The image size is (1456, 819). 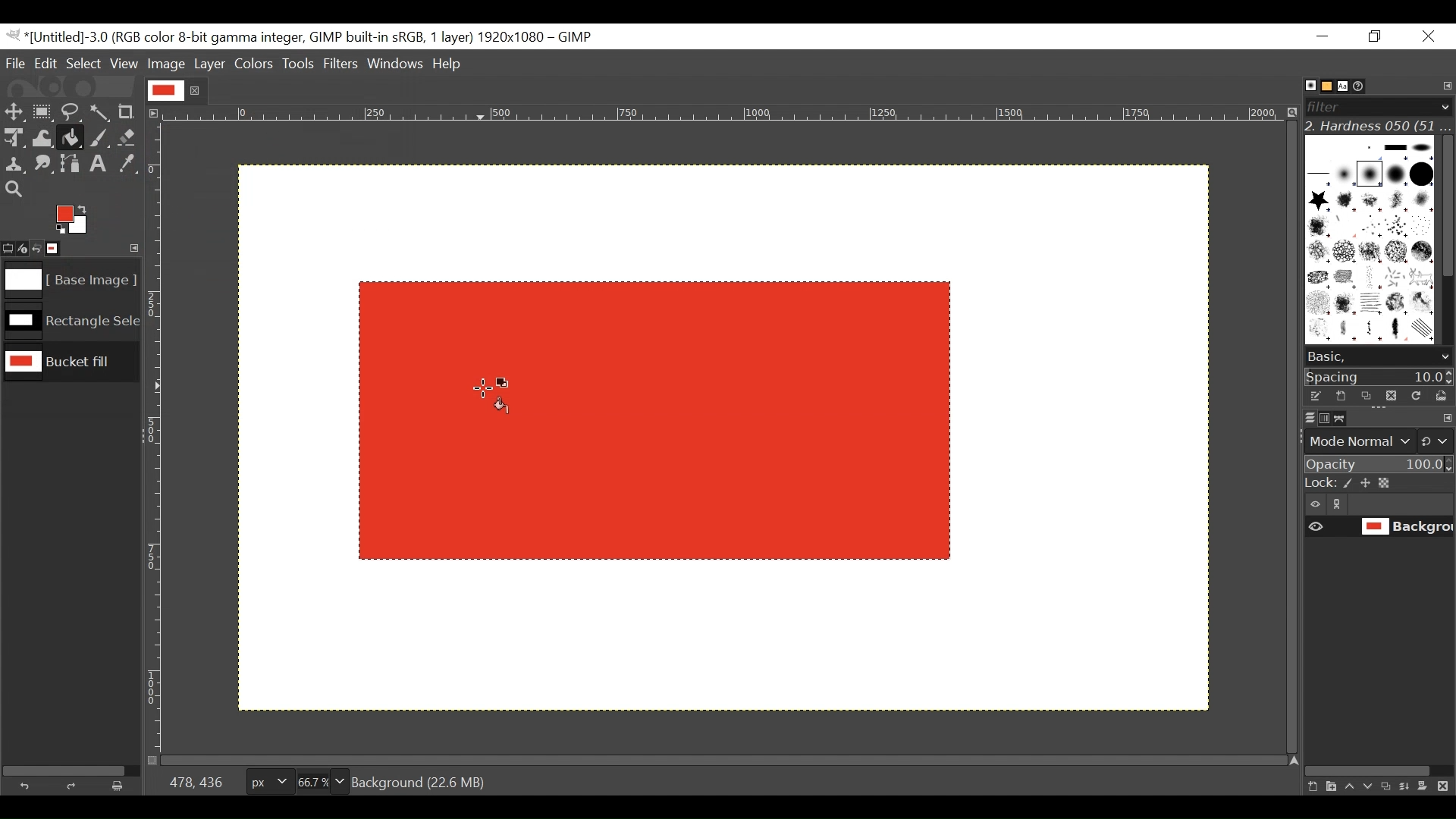 I want to click on Fonts, so click(x=1345, y=85).